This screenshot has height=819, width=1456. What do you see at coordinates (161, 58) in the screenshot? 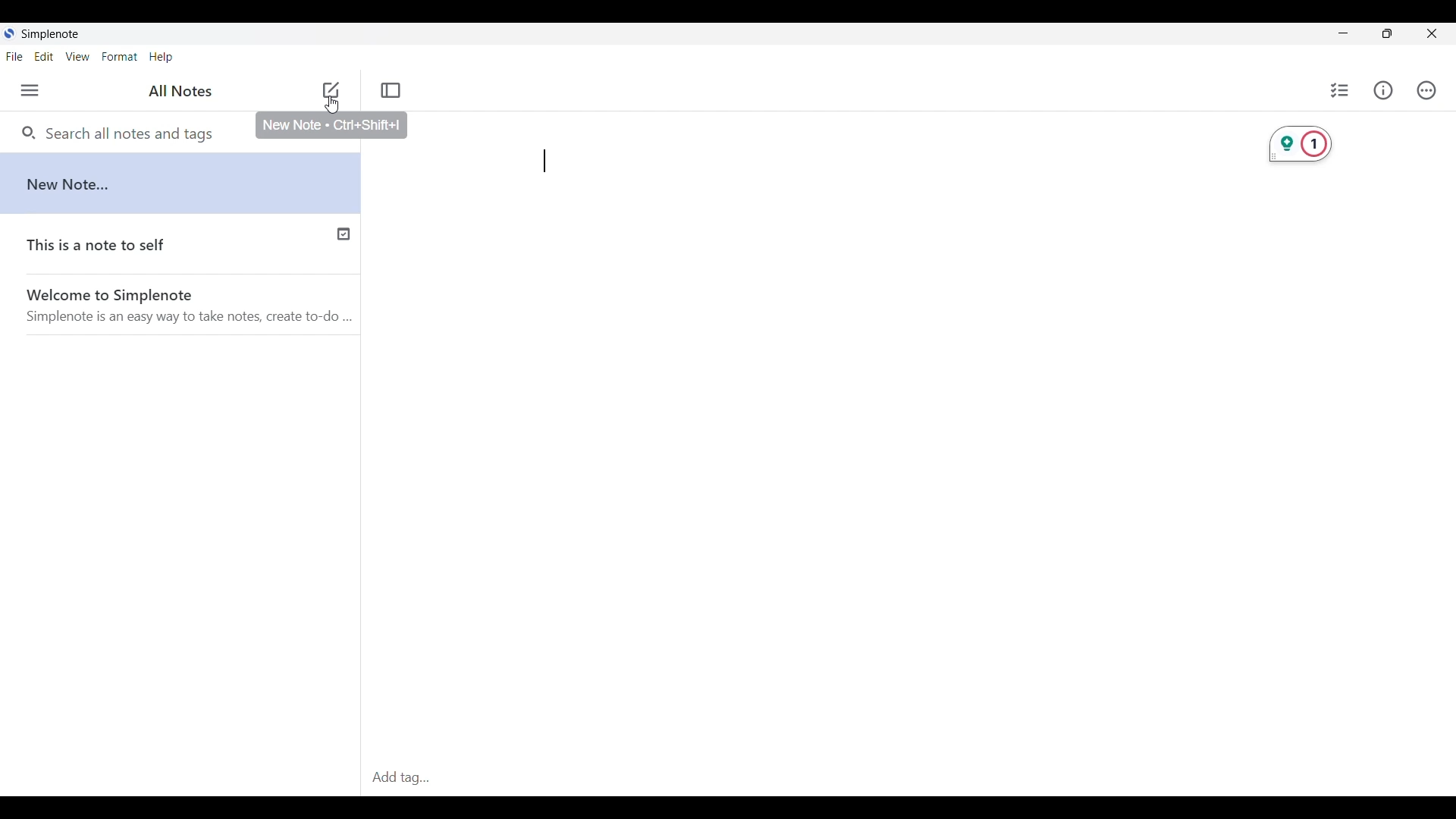
I see `Help menu` at bounding box center [161, 58].